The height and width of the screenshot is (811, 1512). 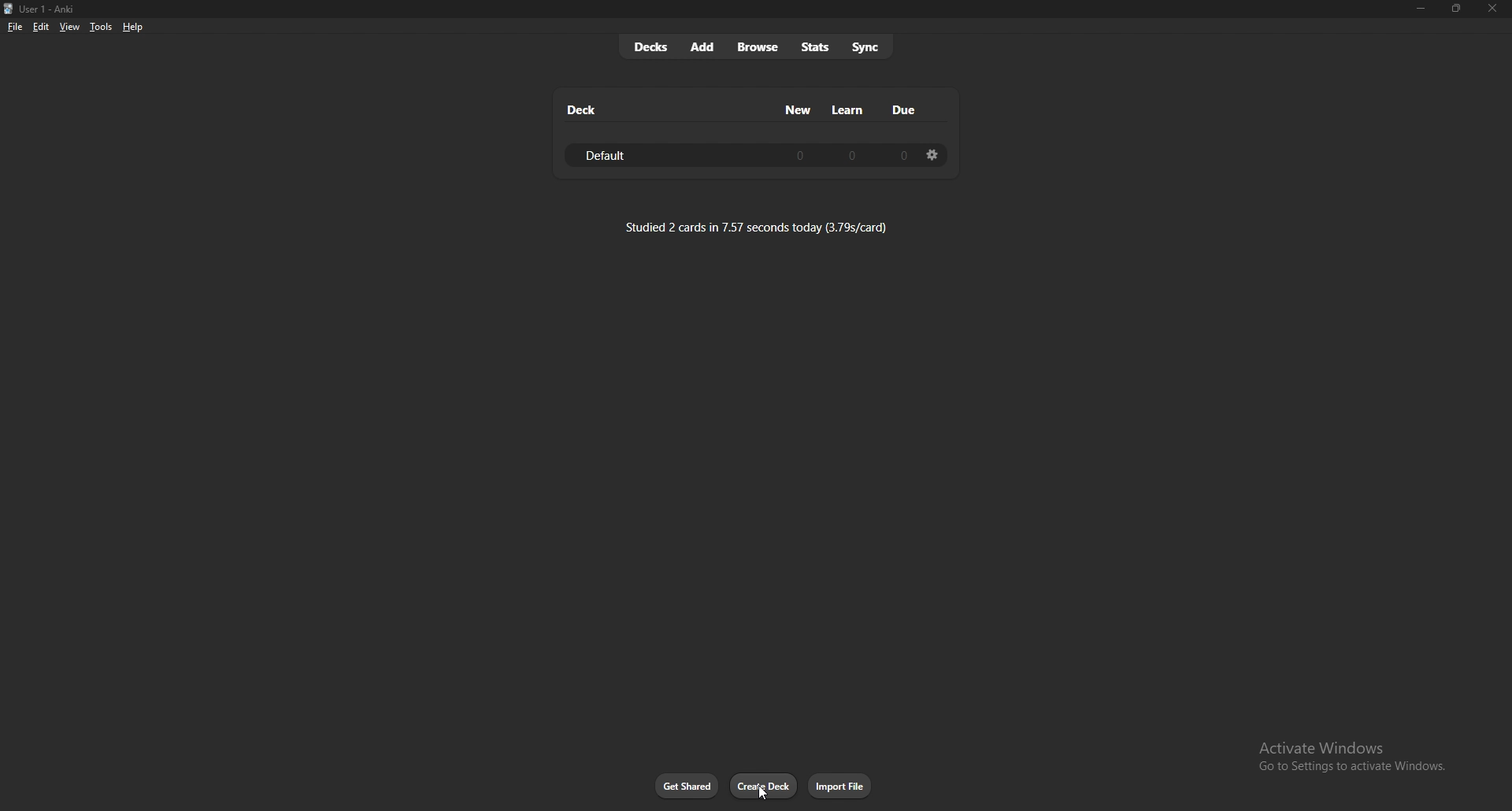 I want to click on file, so click(x=15, y=28).